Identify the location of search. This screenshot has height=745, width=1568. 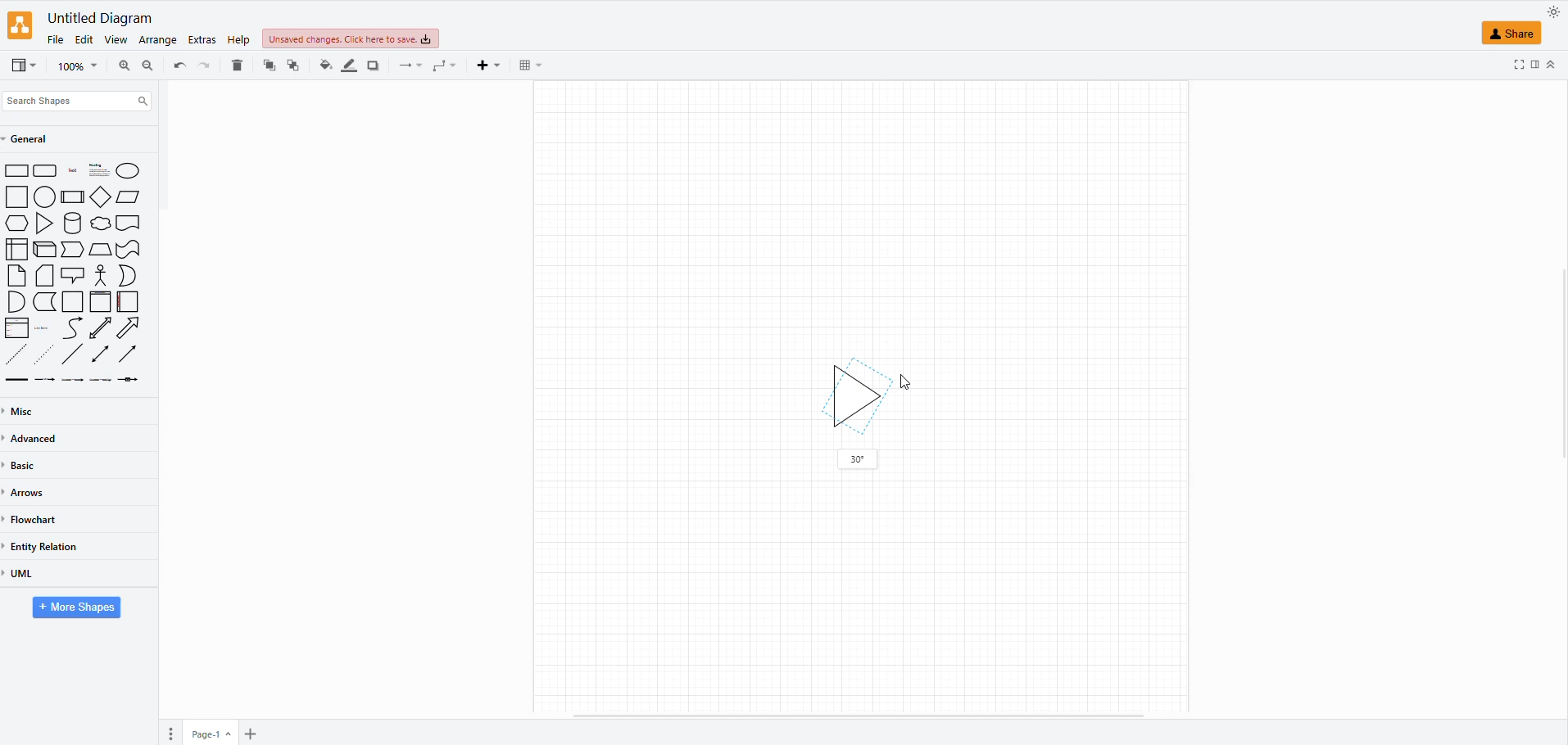
(79, 97).